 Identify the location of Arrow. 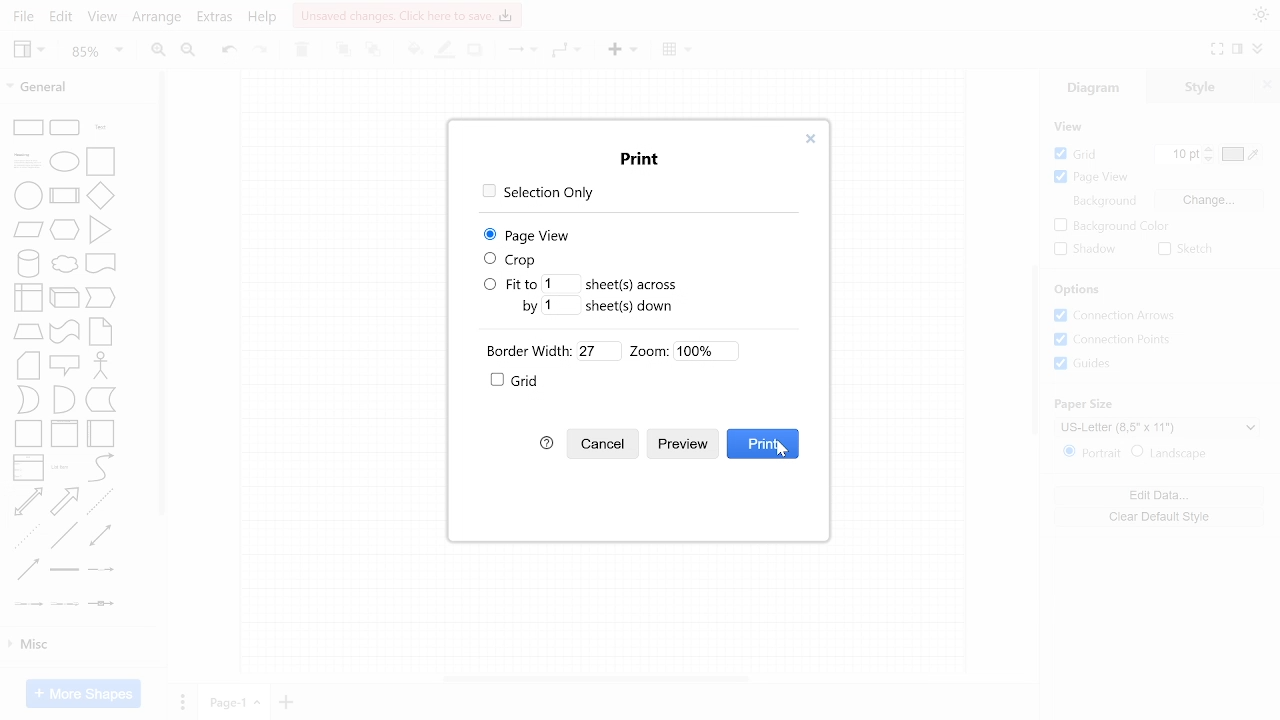
(64, 502).